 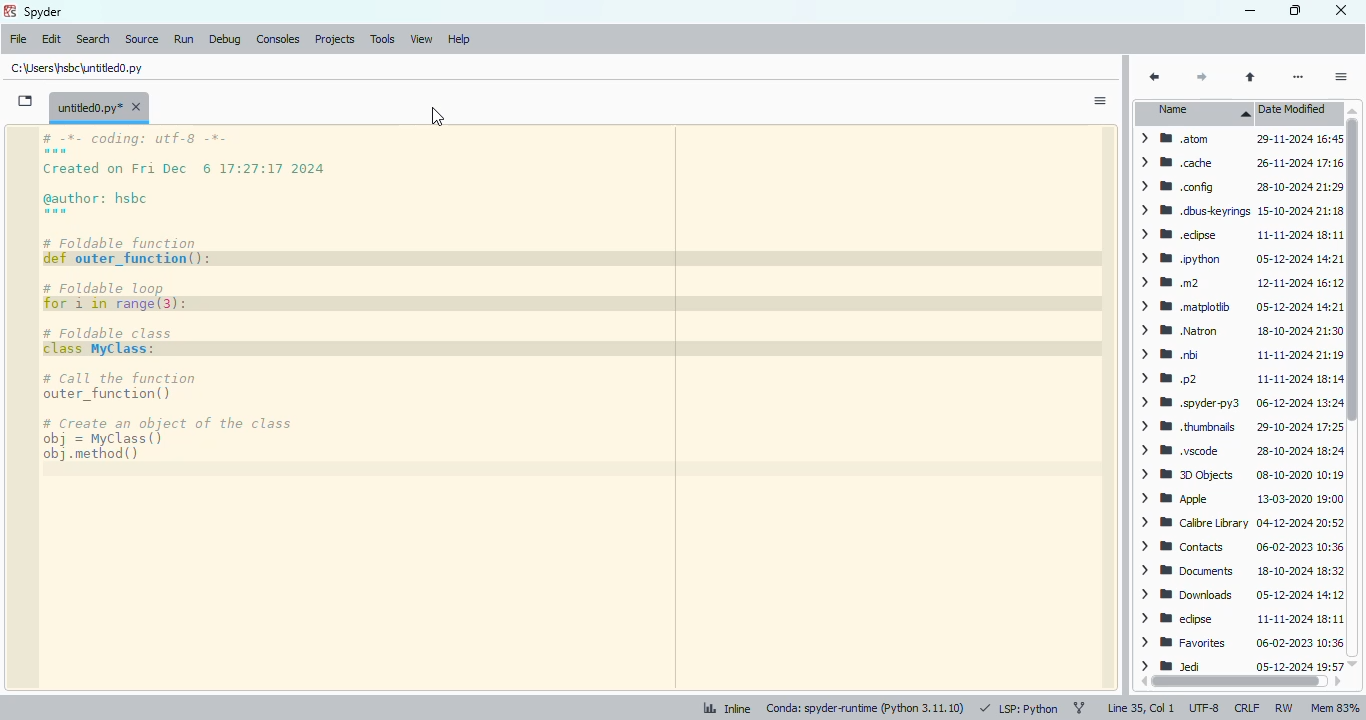 I want to click on logo, so click(x=12, y=11).